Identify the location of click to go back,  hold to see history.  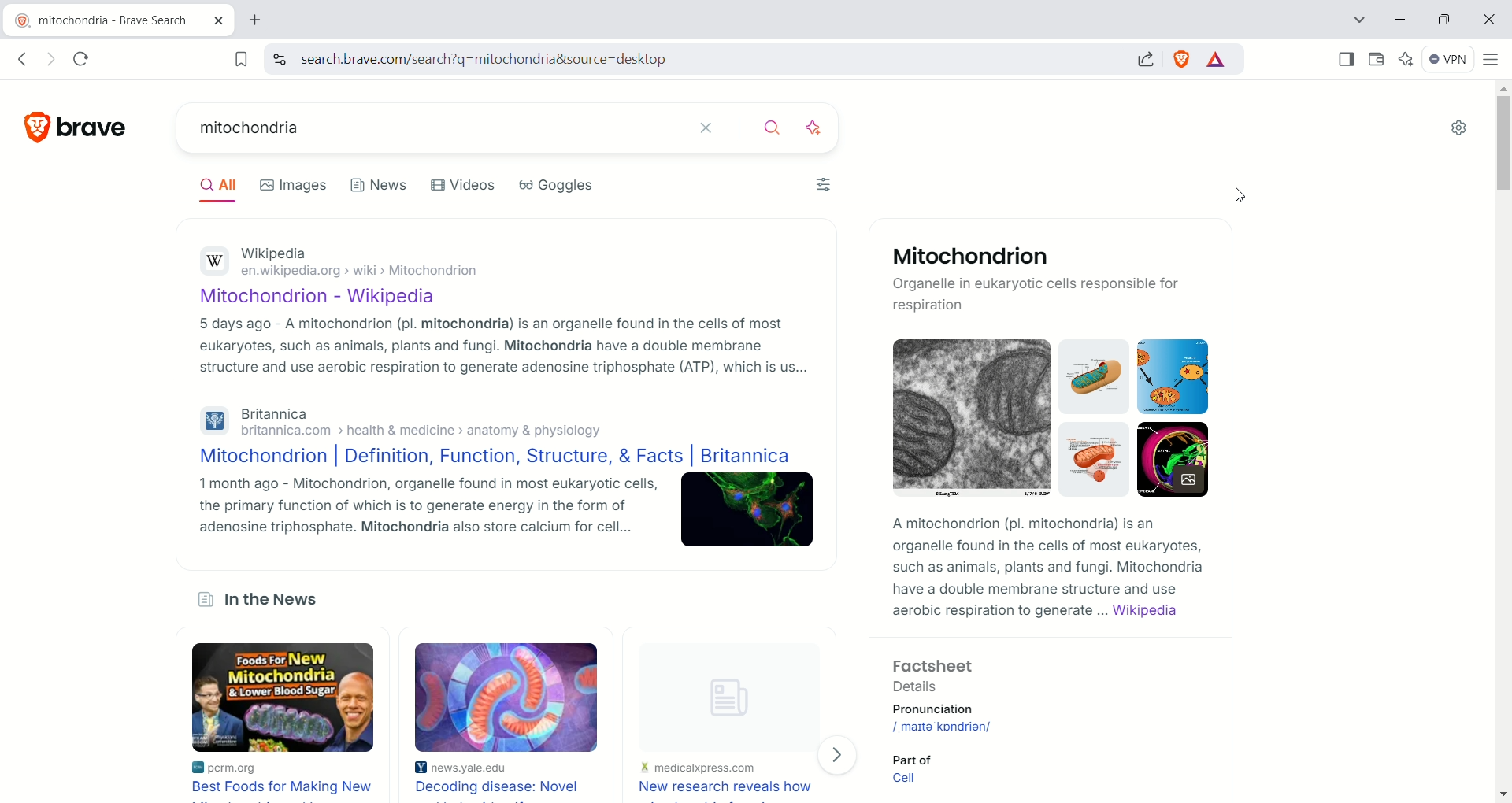
(22, 59).